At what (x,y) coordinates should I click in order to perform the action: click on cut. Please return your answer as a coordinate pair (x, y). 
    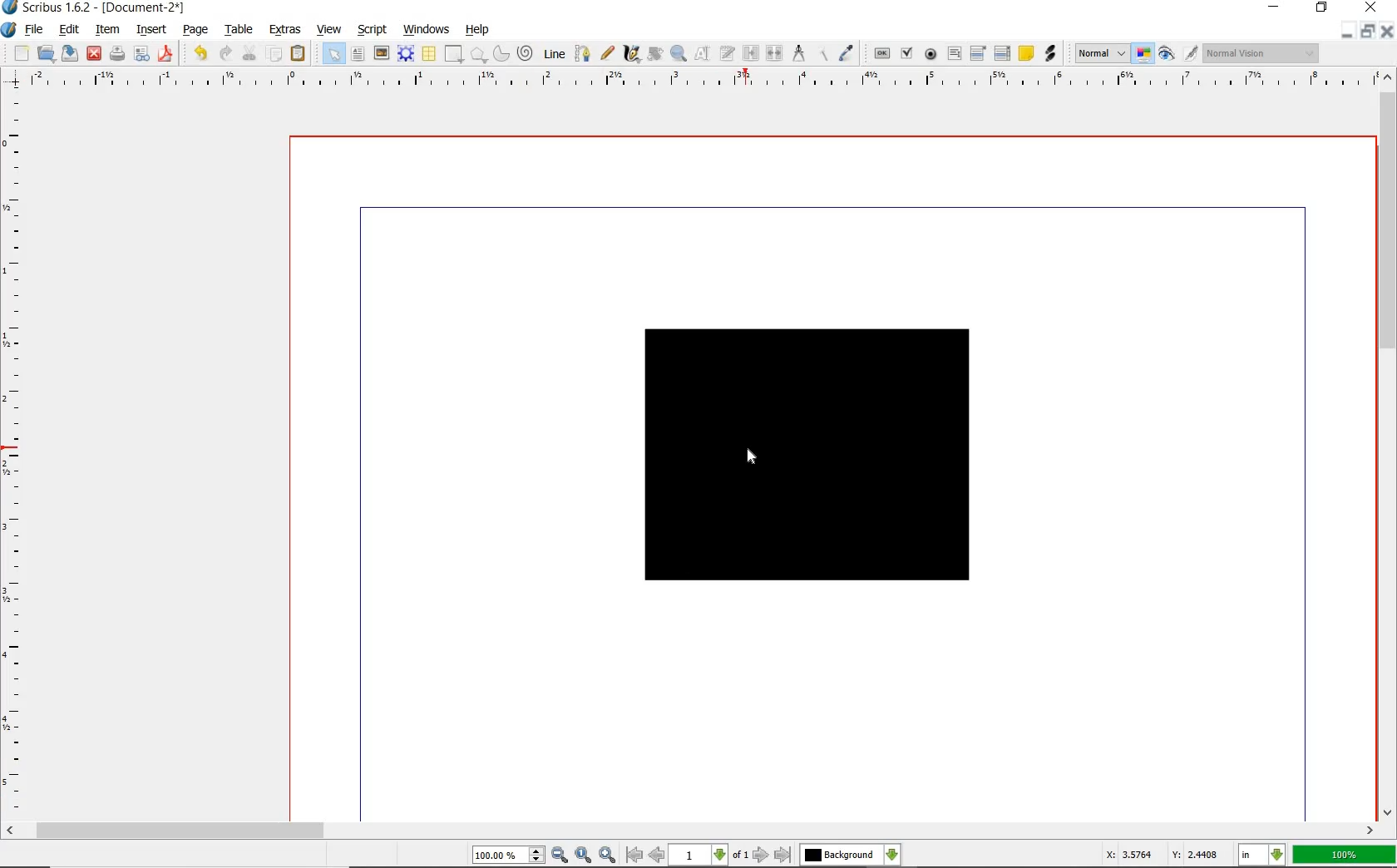
    Looking at the image, I should click on (249, 55).